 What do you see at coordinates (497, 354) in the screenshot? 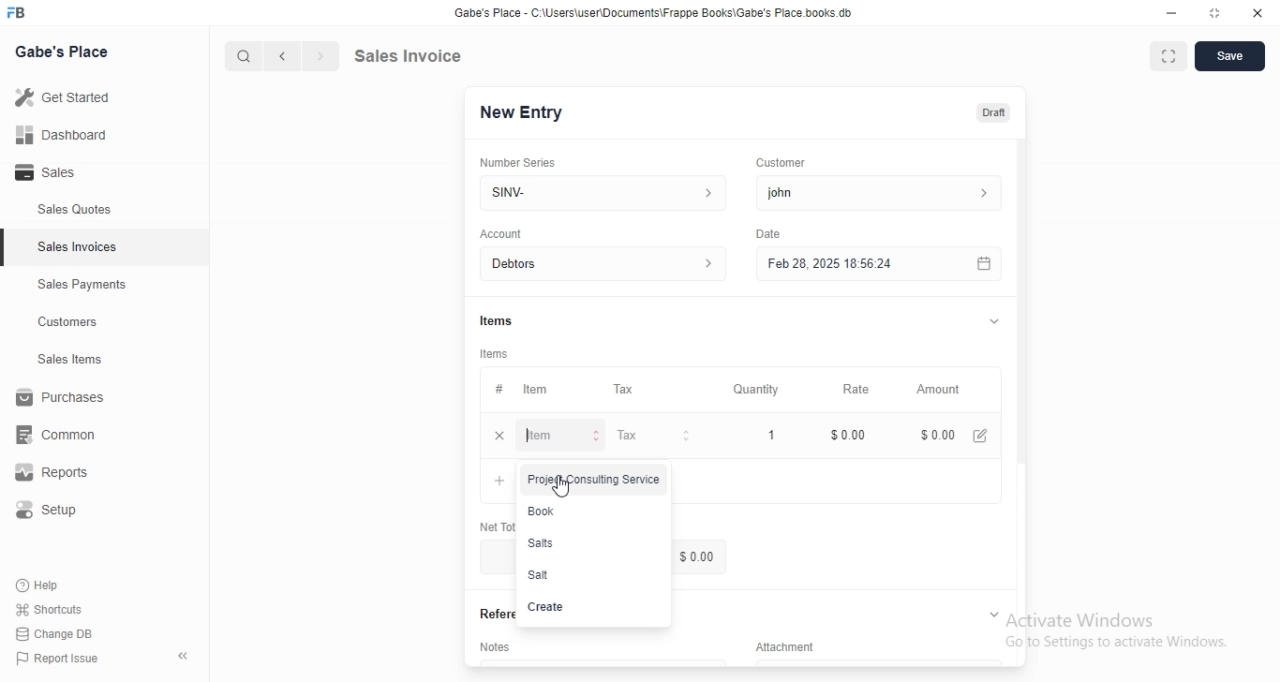
I see `tems` at bounding box center [497, 354].